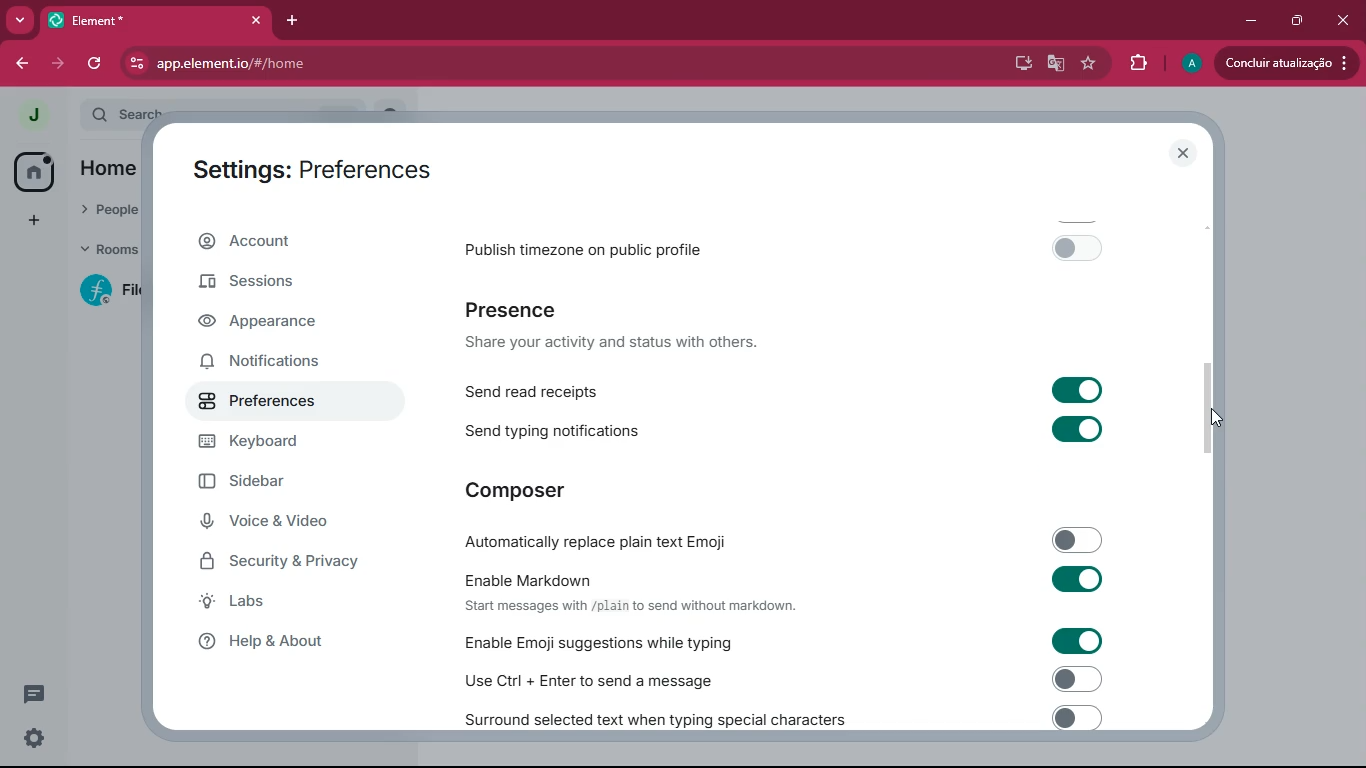 The height and width of the screenshot is (768, 1366). I want to click on labs, so click(284, 603).